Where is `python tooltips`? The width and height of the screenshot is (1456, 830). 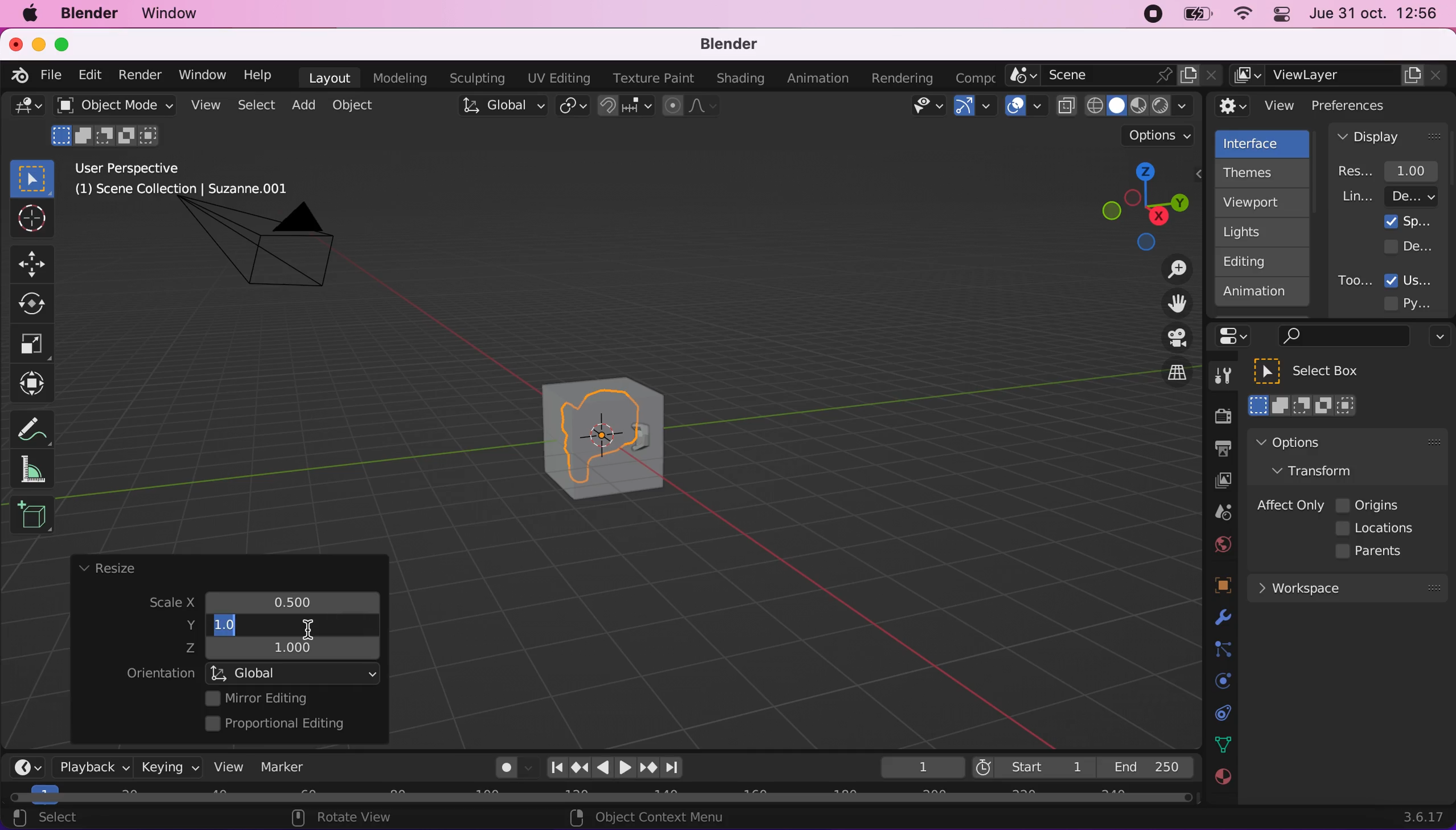
python tooltips is located at coordinates (1421, 302).